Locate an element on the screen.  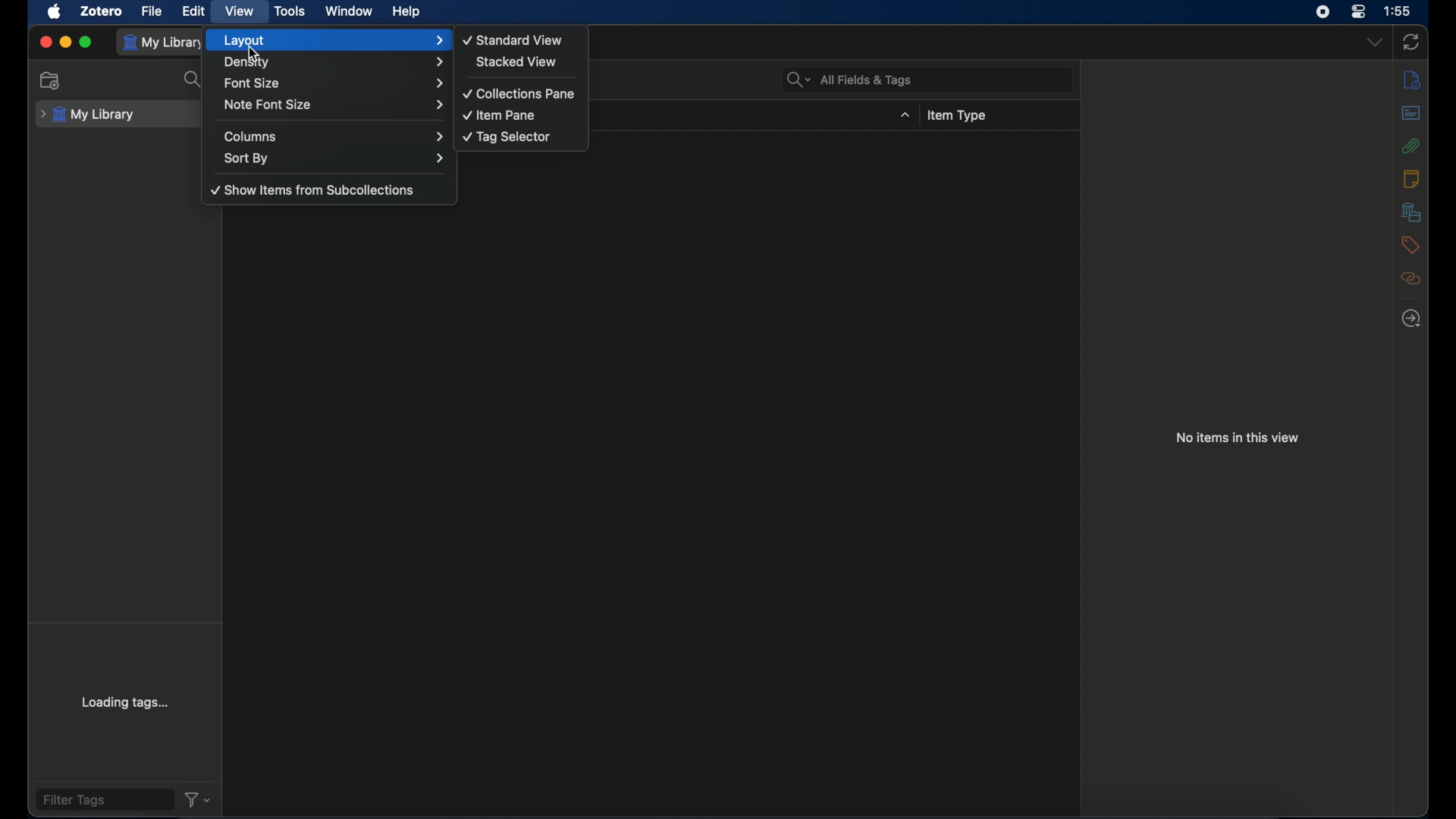
maximize is located at coordinates (86, 42).